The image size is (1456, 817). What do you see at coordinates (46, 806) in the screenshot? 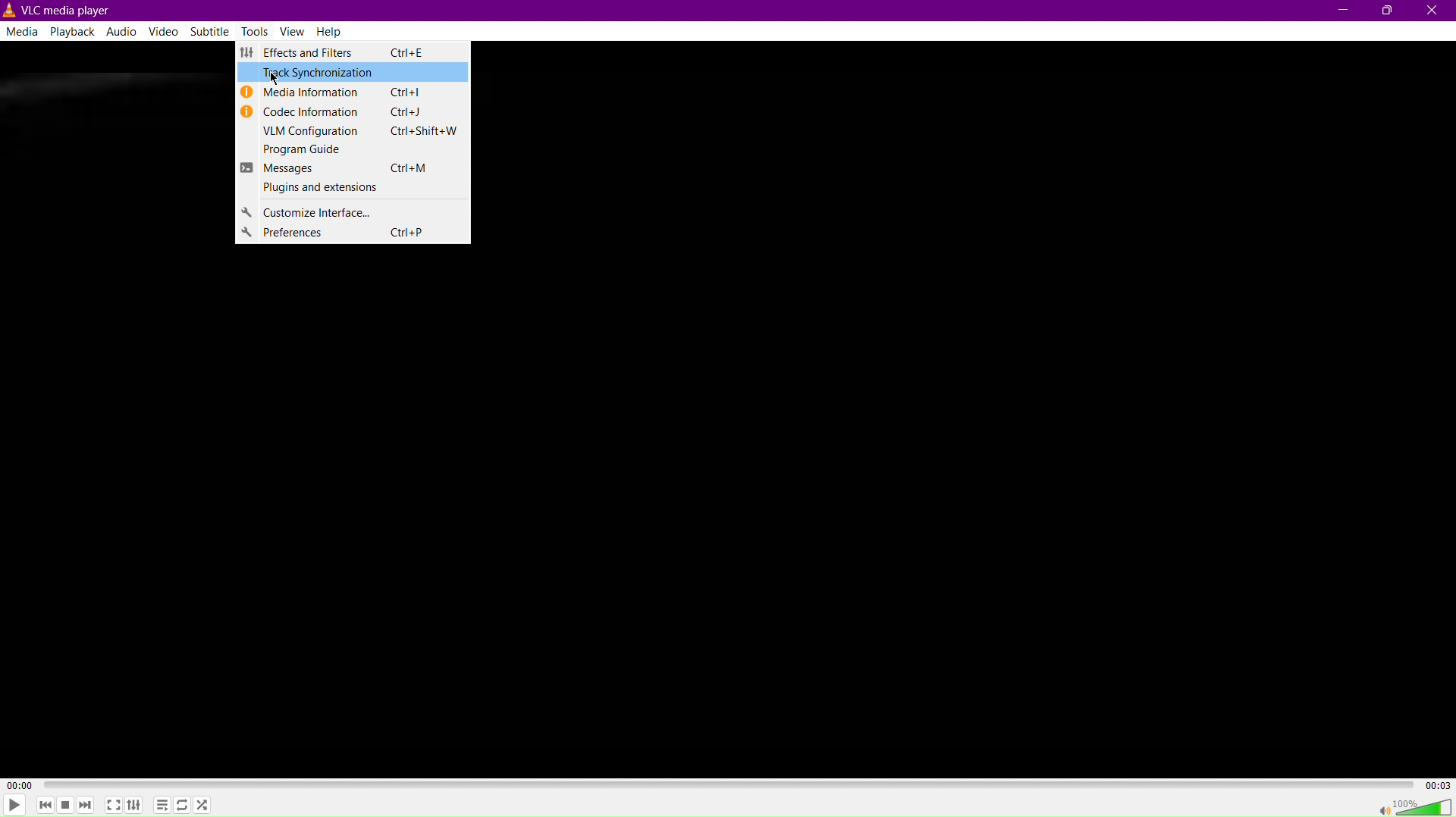
I see `skip back` at bounding box center [46, 806].